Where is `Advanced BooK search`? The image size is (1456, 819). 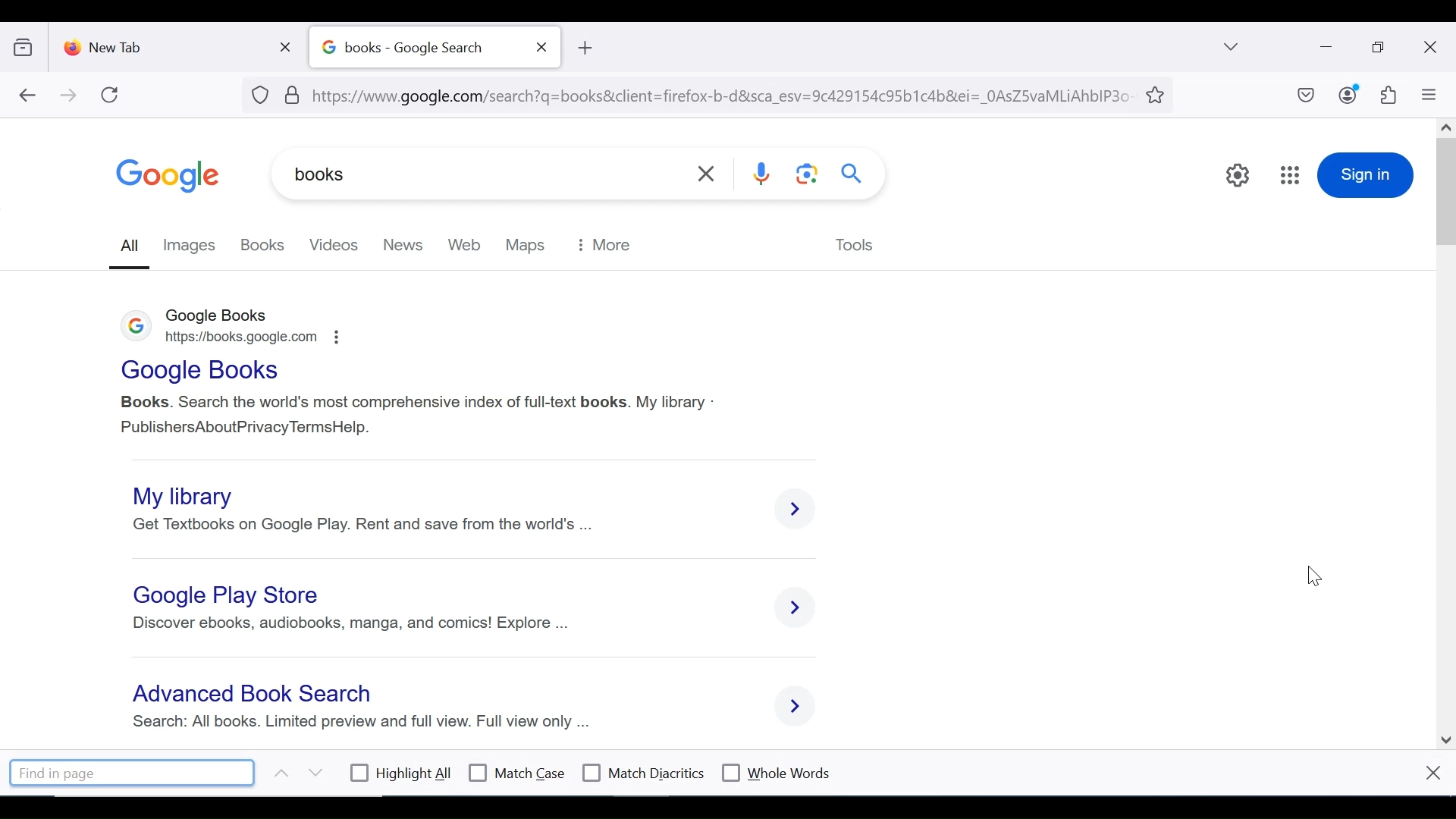
Advanced BooK search is located at coordinates (256, 695).